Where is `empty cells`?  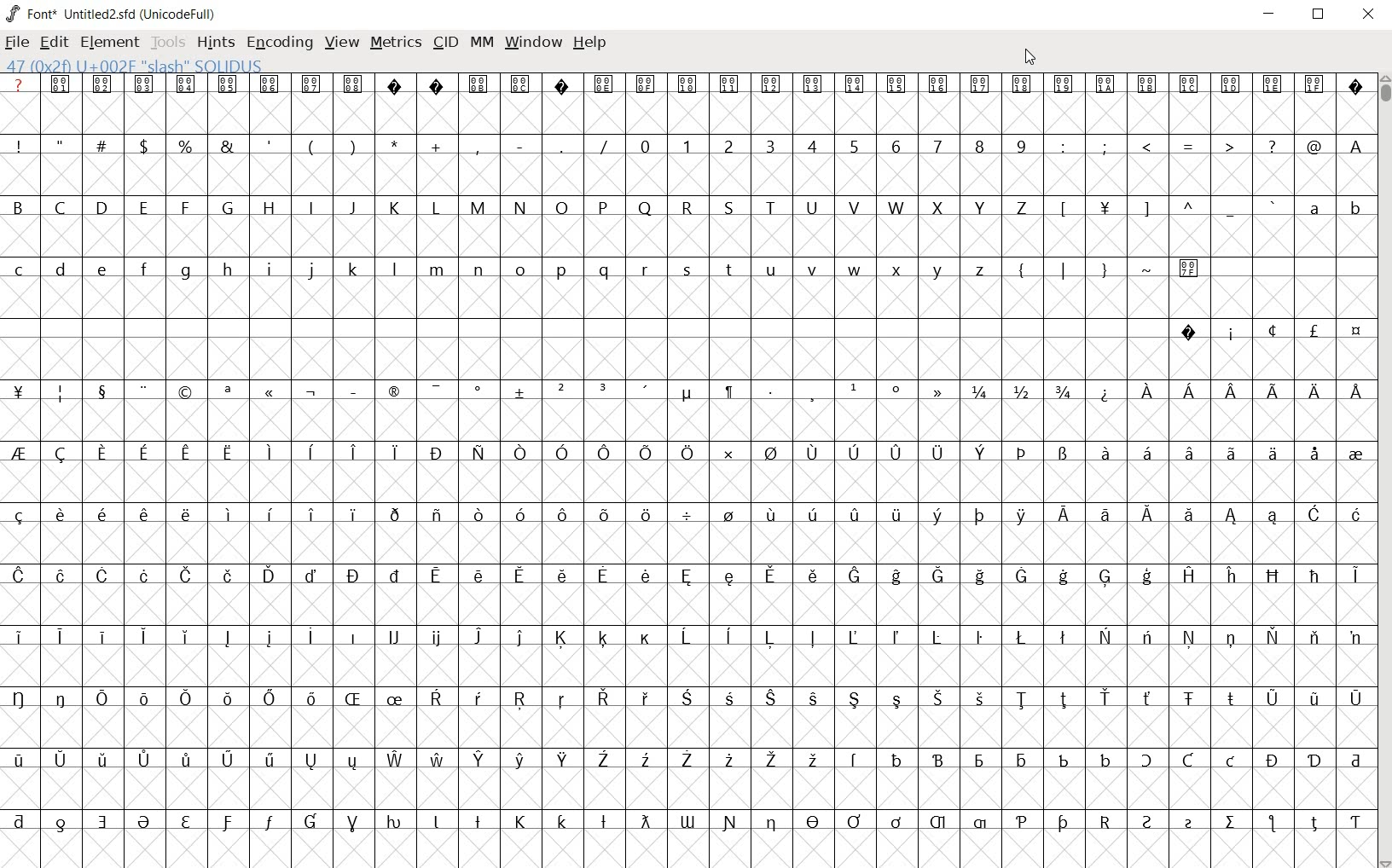
empty cells is located at coordinates (690, 237).